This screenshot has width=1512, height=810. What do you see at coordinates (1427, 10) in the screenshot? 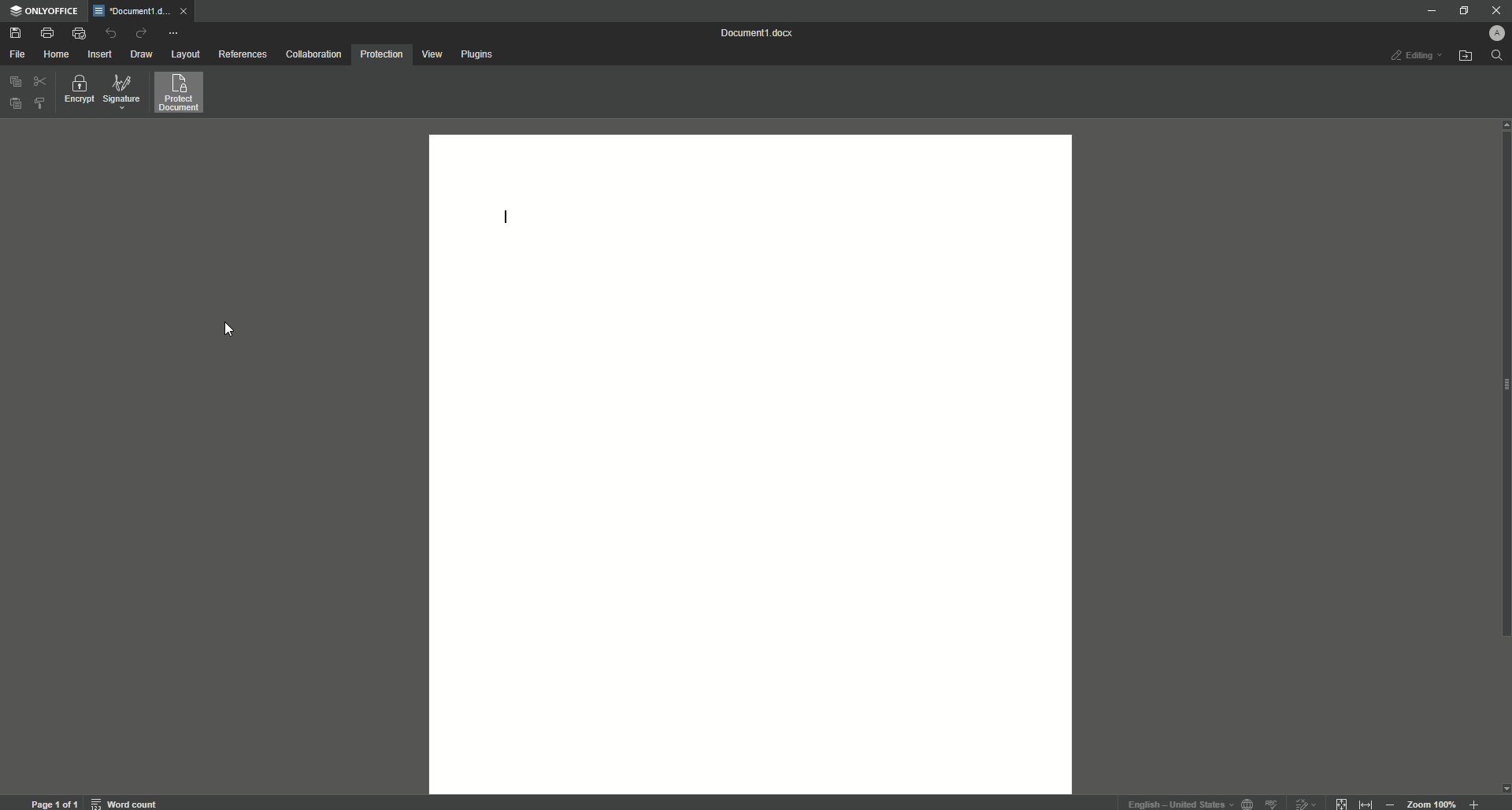
I see `Minimize` at bounding box center [1427, 10].